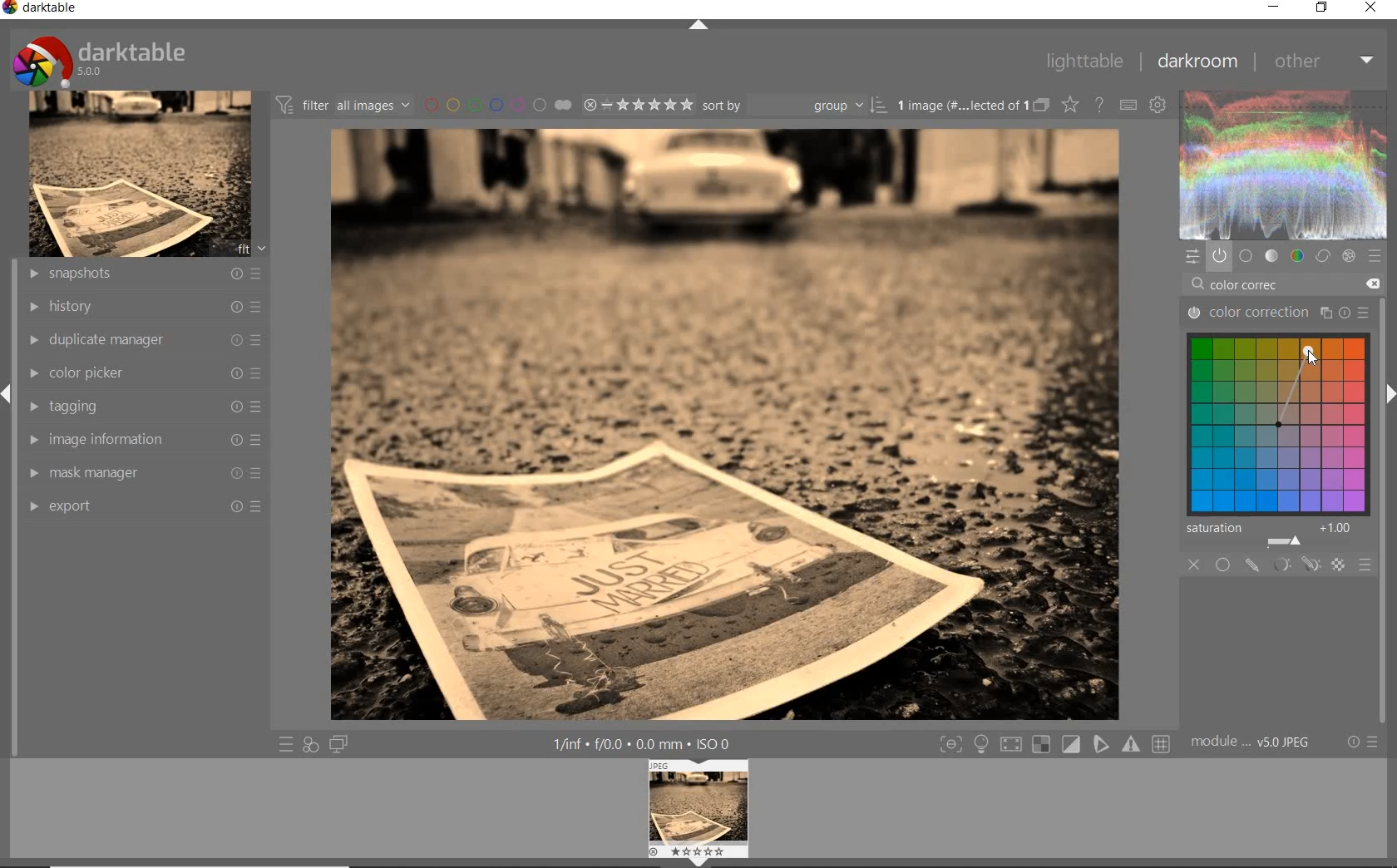 The width and height of the screenshot is (1397, 868). What do you see at coordinates (338, 744) in the screenshot?
I see `display a second darkroom image window` at bounding box center [338, 744].